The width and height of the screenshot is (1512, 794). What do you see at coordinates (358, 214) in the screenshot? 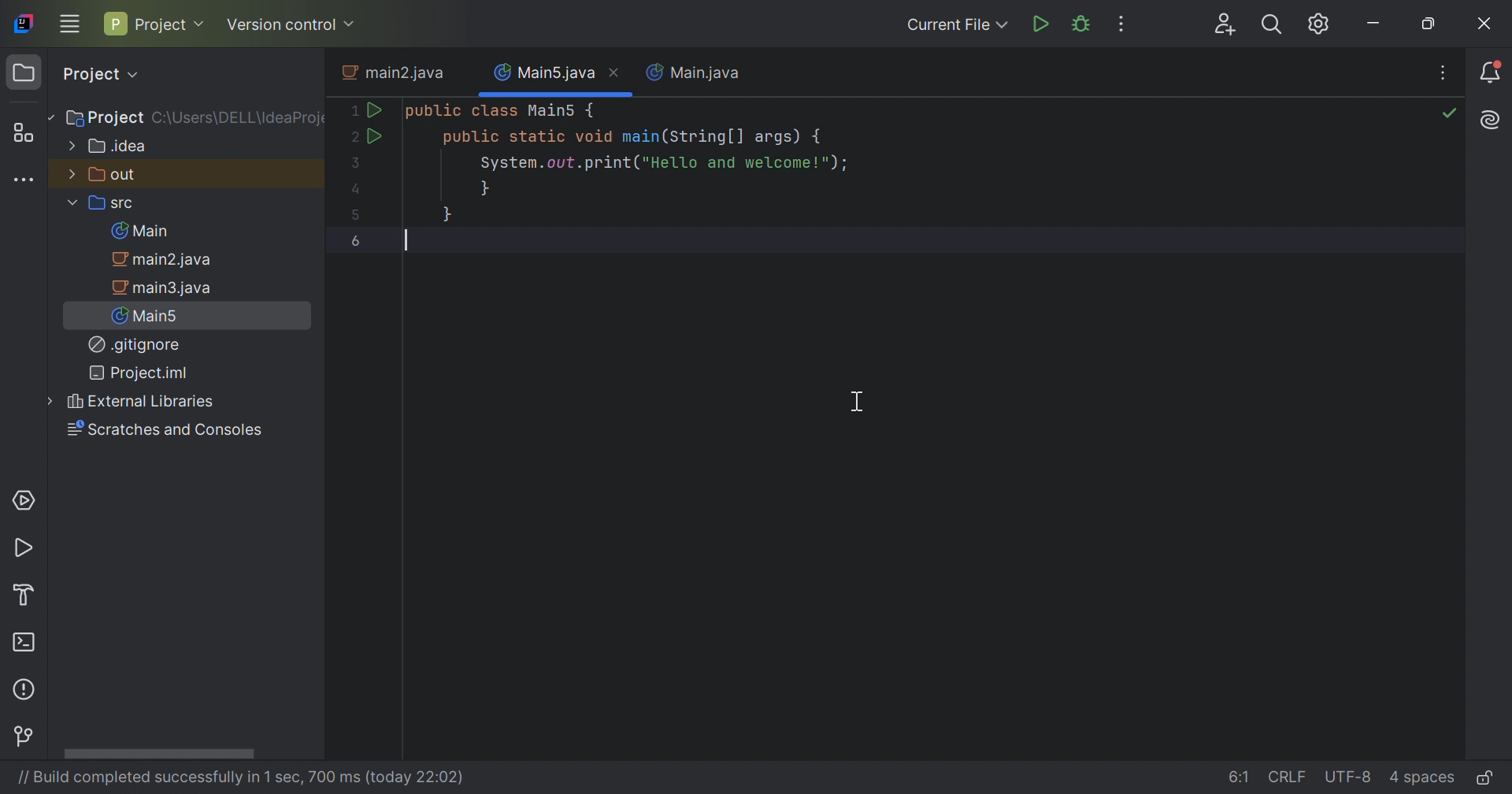
I see `5` at bounding box center [358, 214].